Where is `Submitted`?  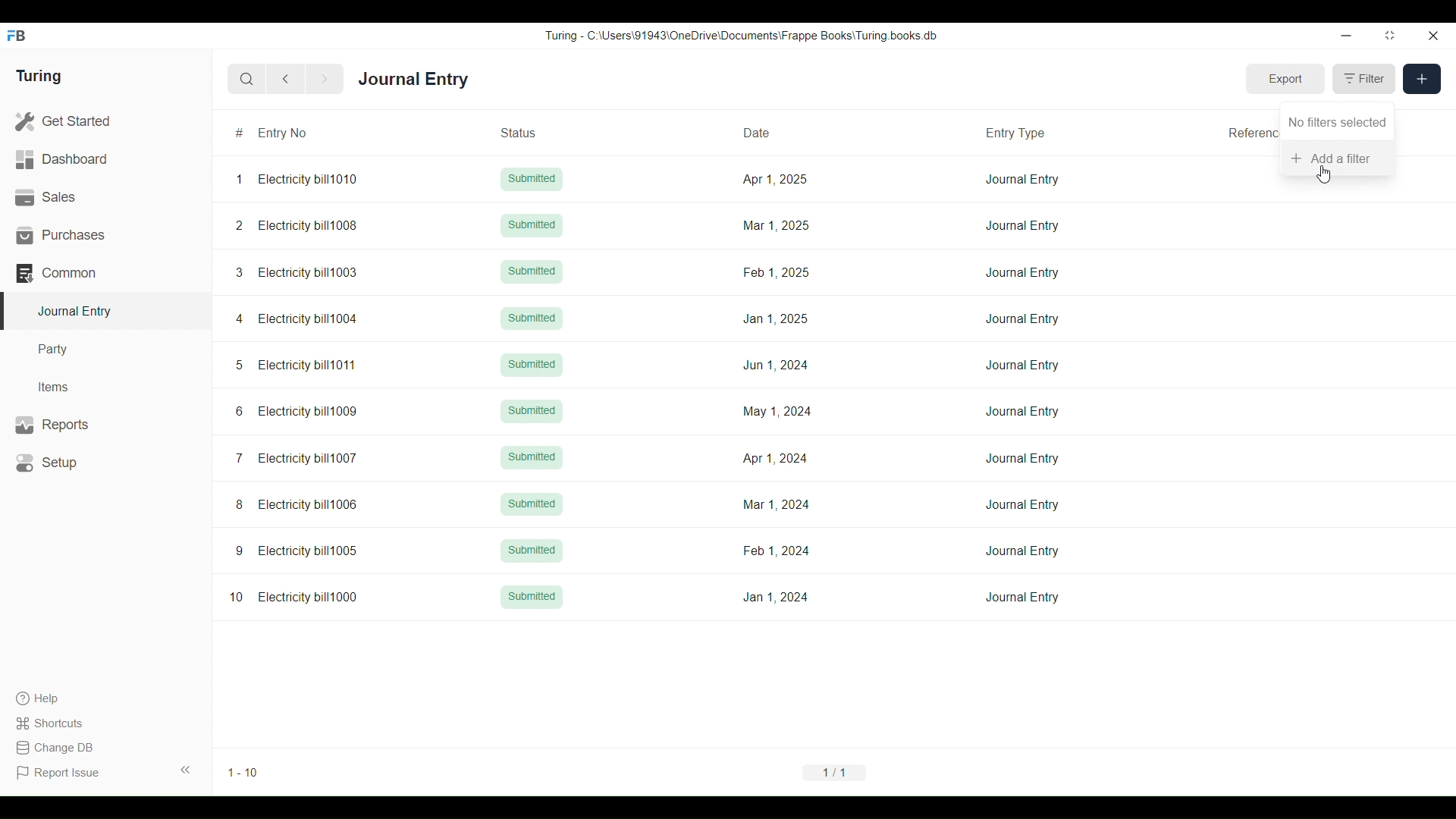
Submitted is located at coordinates (532, 365).